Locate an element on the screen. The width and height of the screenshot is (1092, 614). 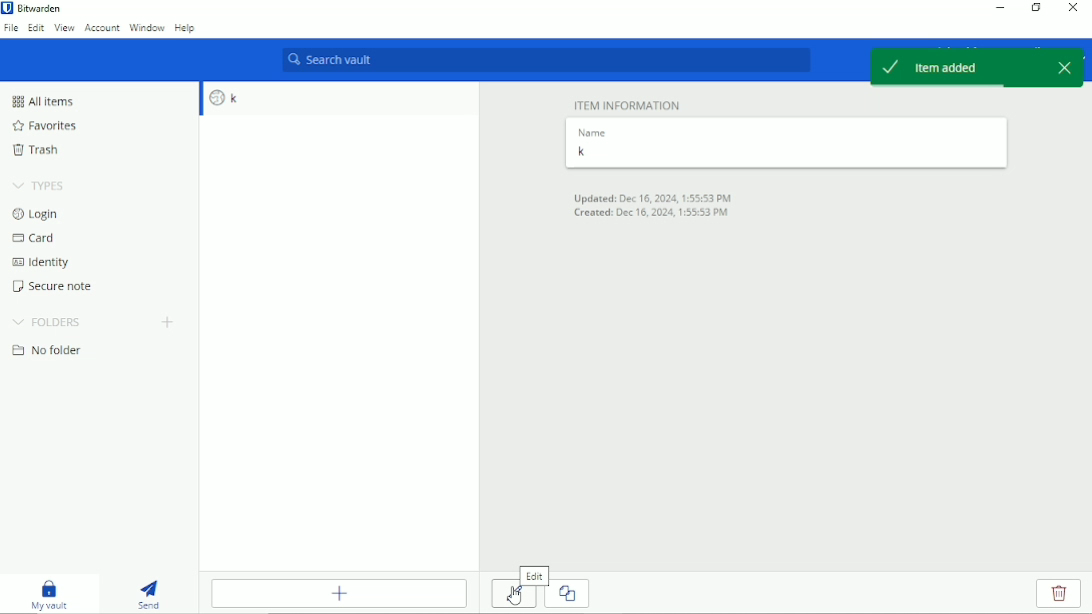
Item added is located at coordinates (952, 68).